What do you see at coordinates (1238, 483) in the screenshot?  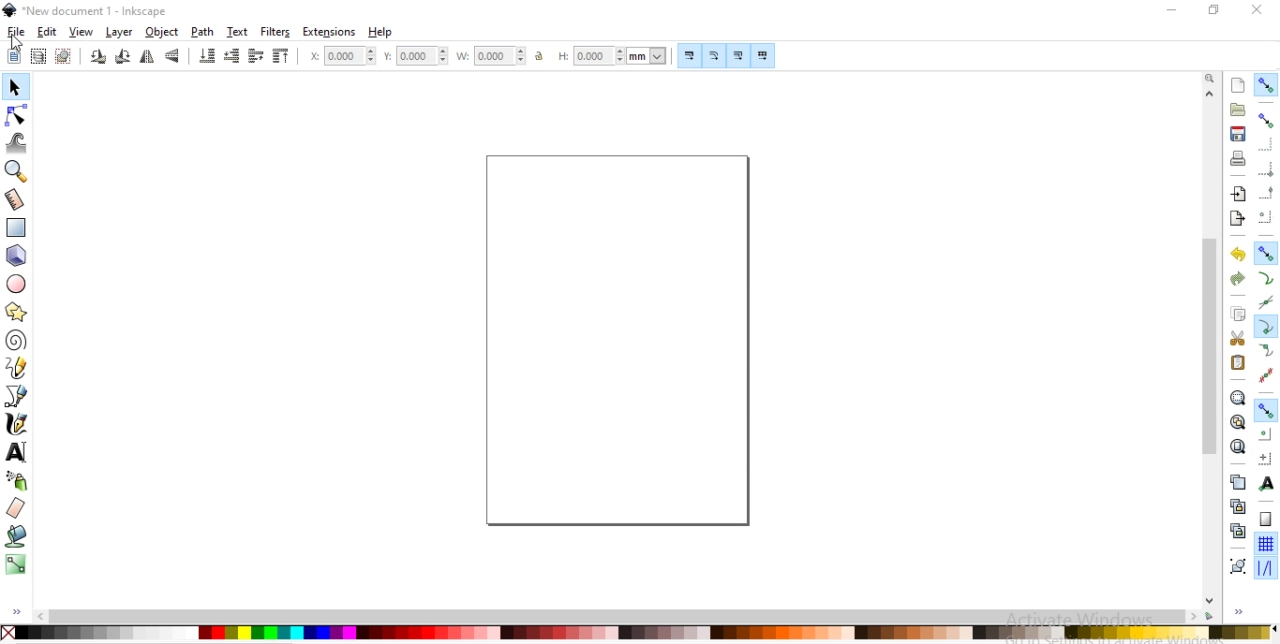 I see `create a duplicate` at bounding box center [1238, 483].